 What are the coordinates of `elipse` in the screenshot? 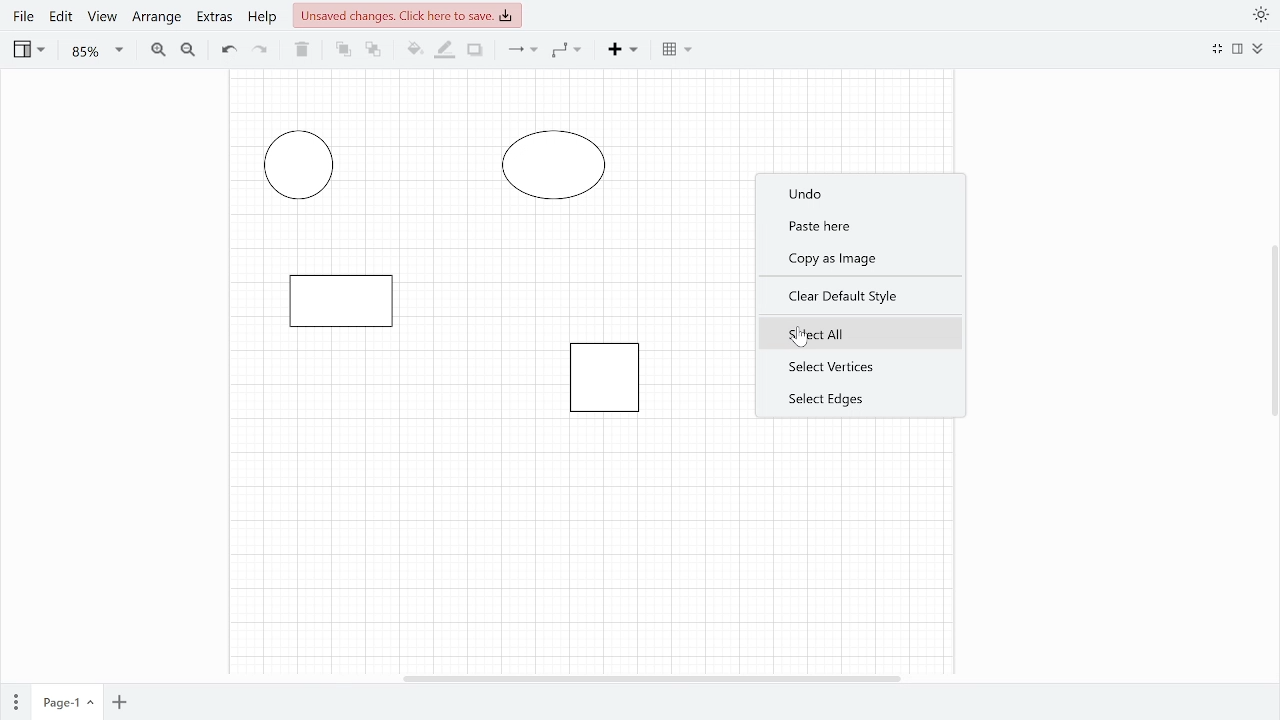 It's located at (300, 166).